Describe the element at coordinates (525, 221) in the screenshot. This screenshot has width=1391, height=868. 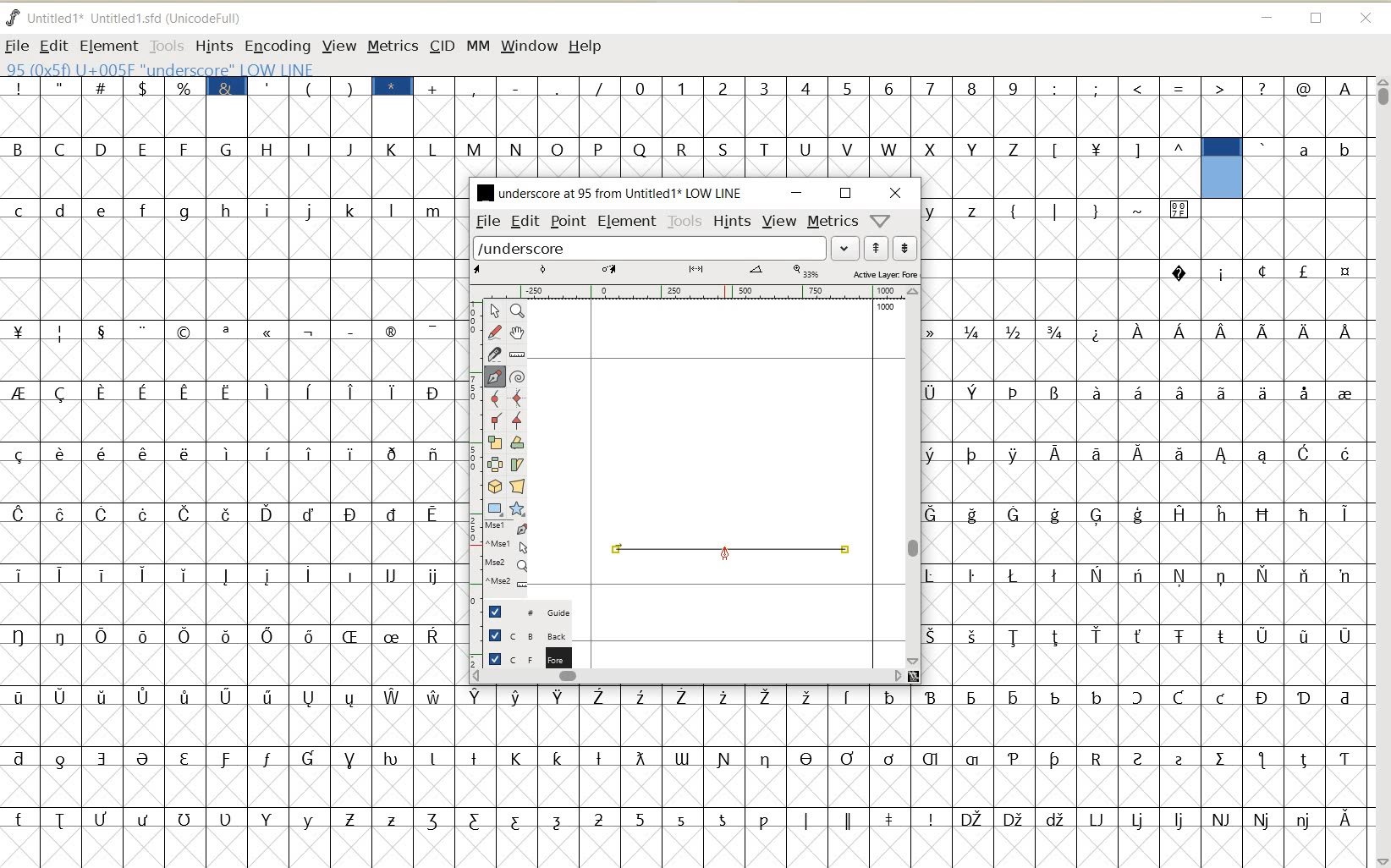
I see `EDIT` at that location.